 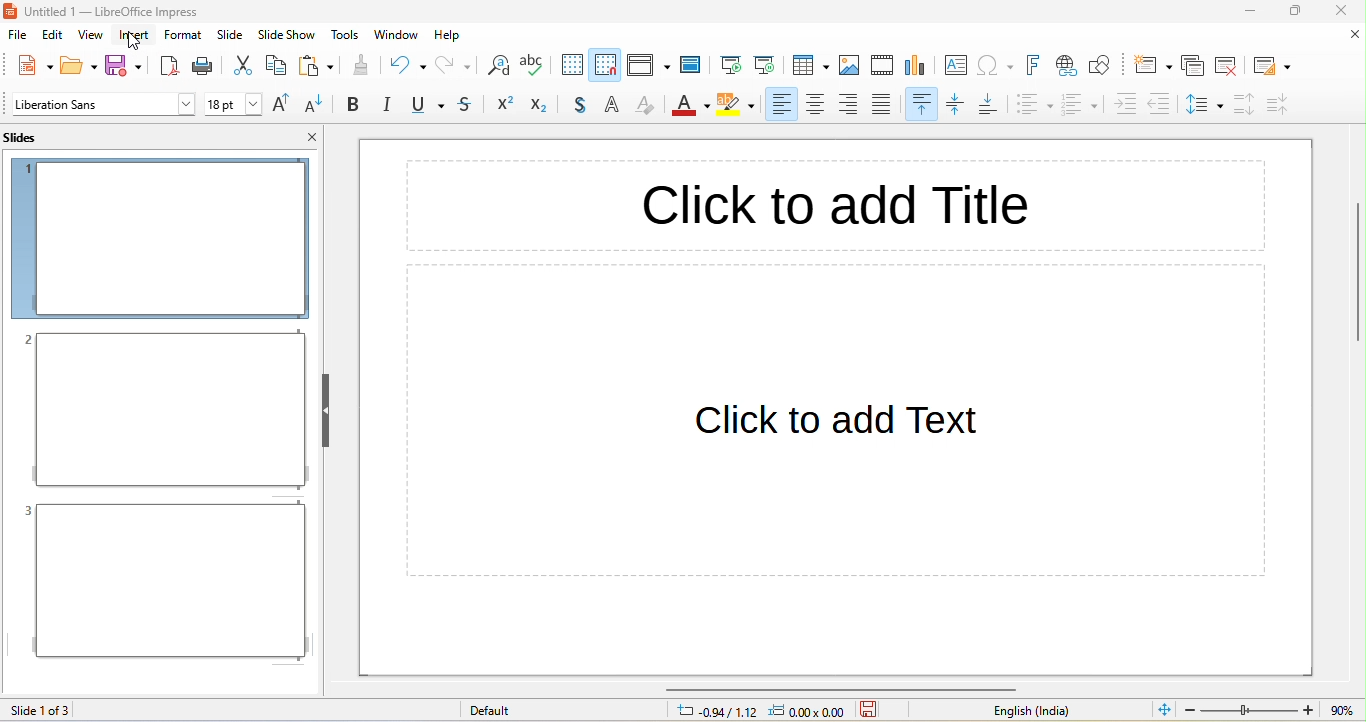 What do you see at coordinates (992, 105) in the screenshot?
I see `align bottom` at bounding box center [992, 105].